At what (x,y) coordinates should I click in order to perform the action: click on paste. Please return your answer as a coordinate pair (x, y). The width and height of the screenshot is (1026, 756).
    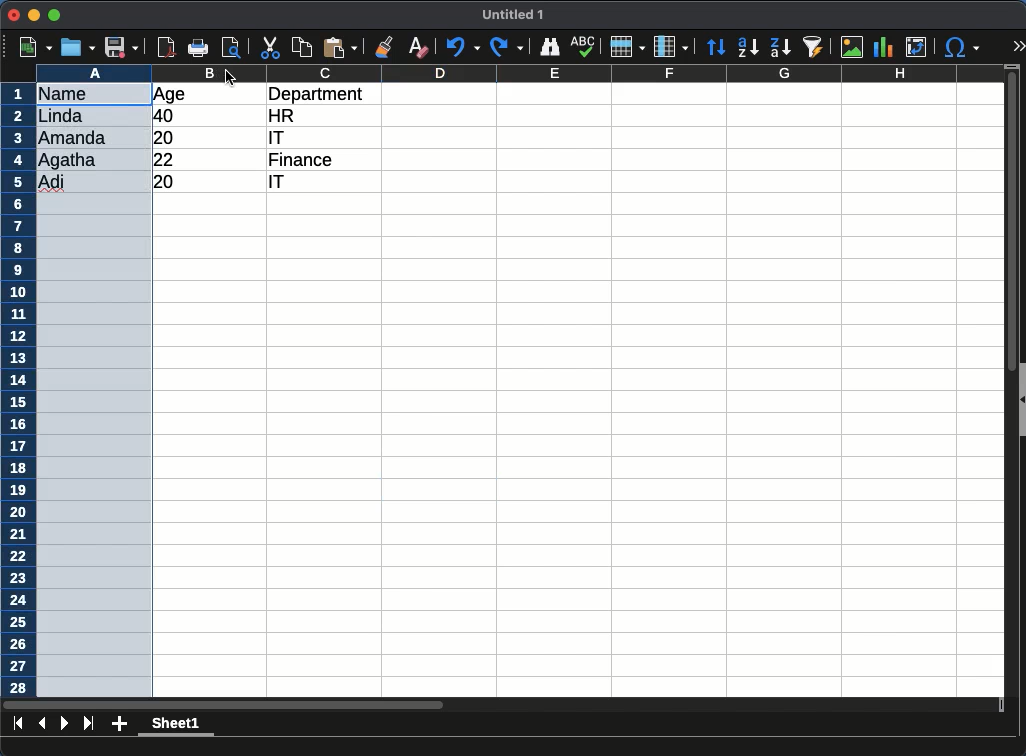
    Looking at the image, I should click on (340, 47).